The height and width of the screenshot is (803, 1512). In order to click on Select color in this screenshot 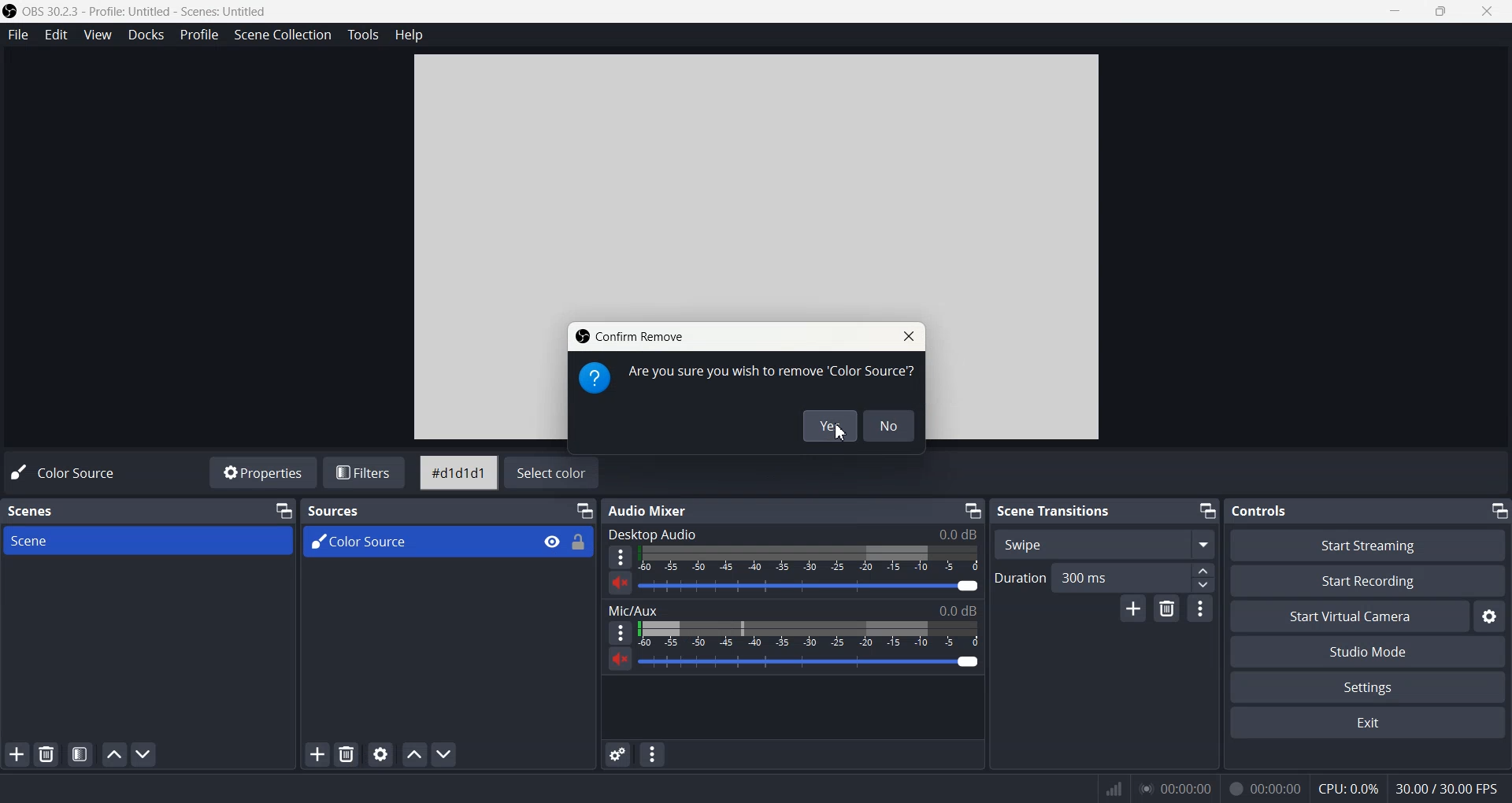, I will do `click(554, 473)`.